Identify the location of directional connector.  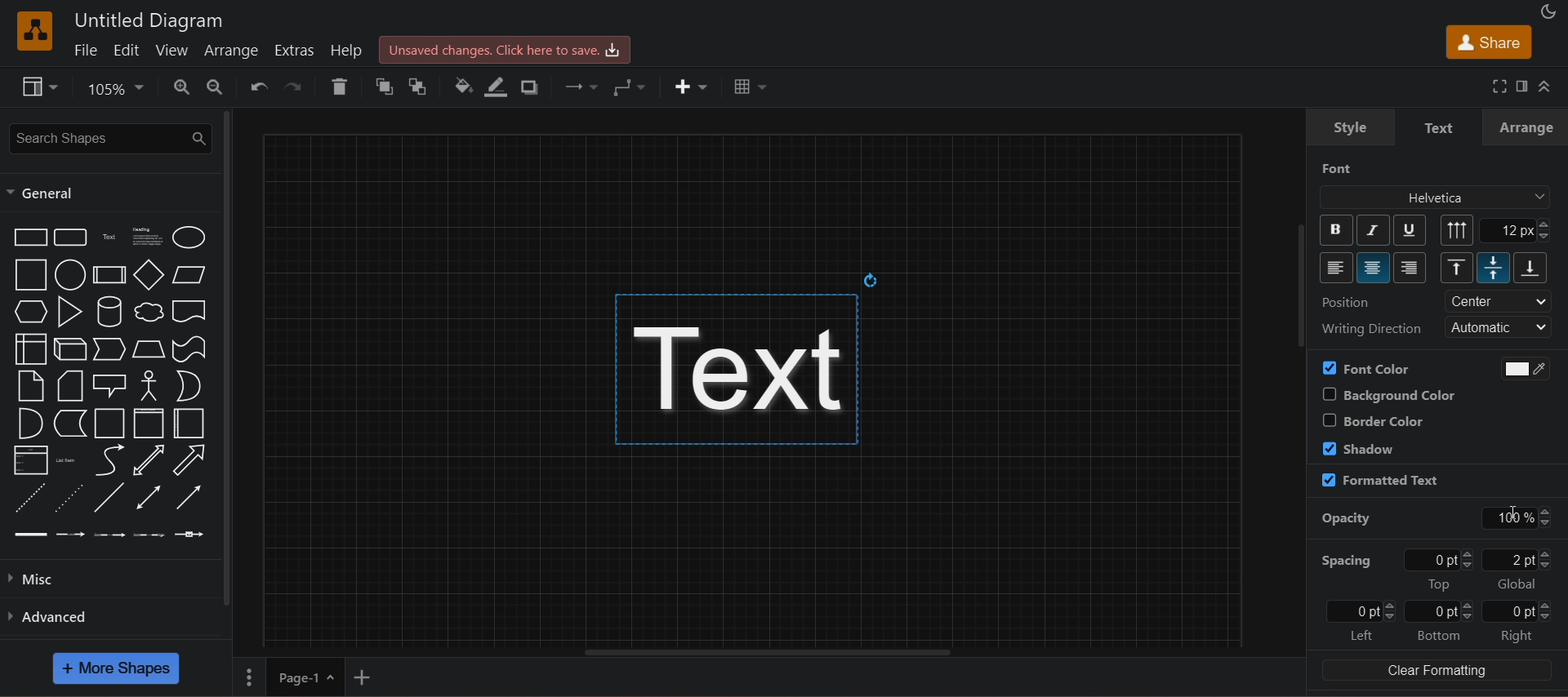
(189, 497).